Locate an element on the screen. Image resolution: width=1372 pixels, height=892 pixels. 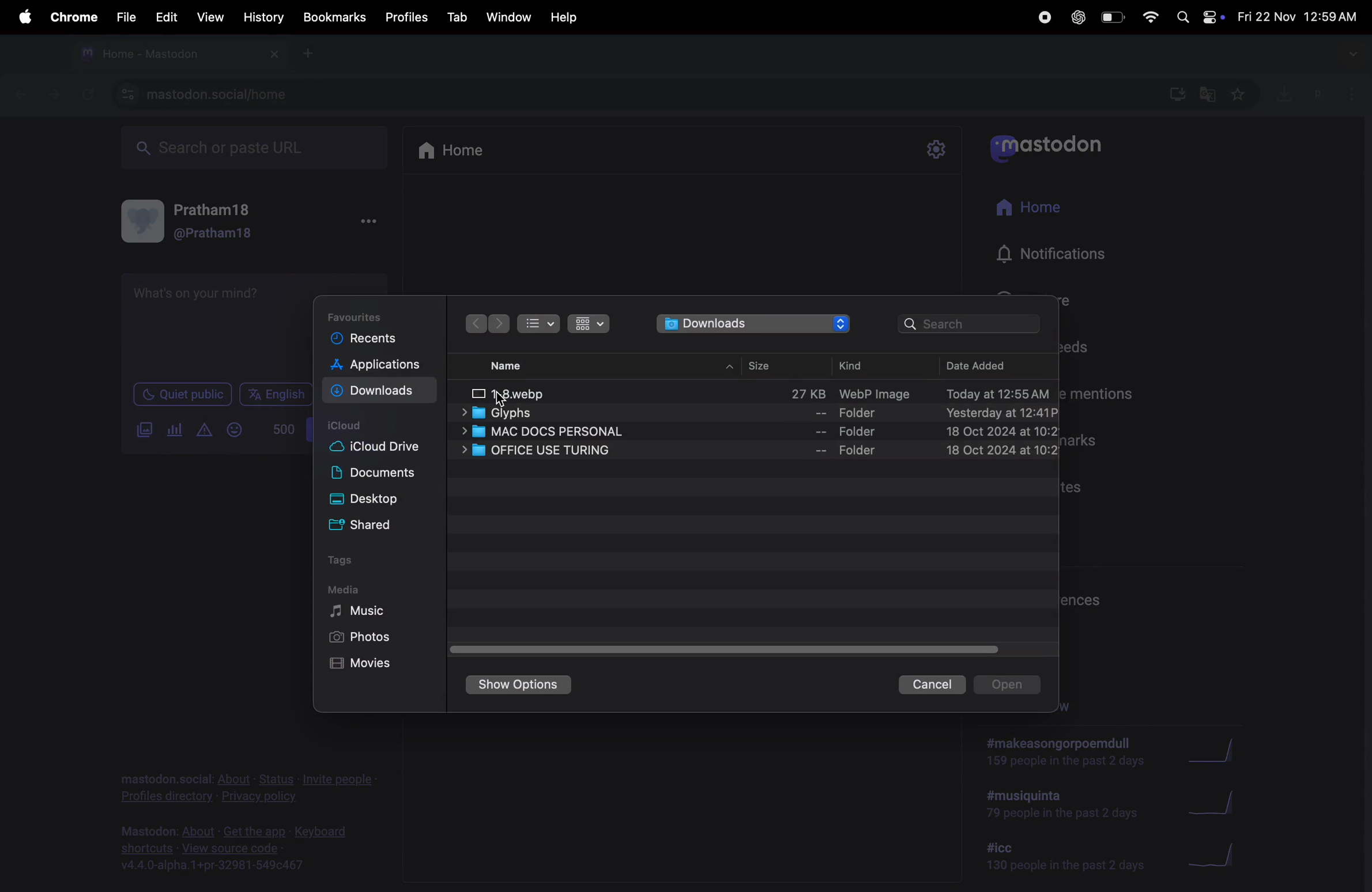
tags is located at coordinates (349, 560).